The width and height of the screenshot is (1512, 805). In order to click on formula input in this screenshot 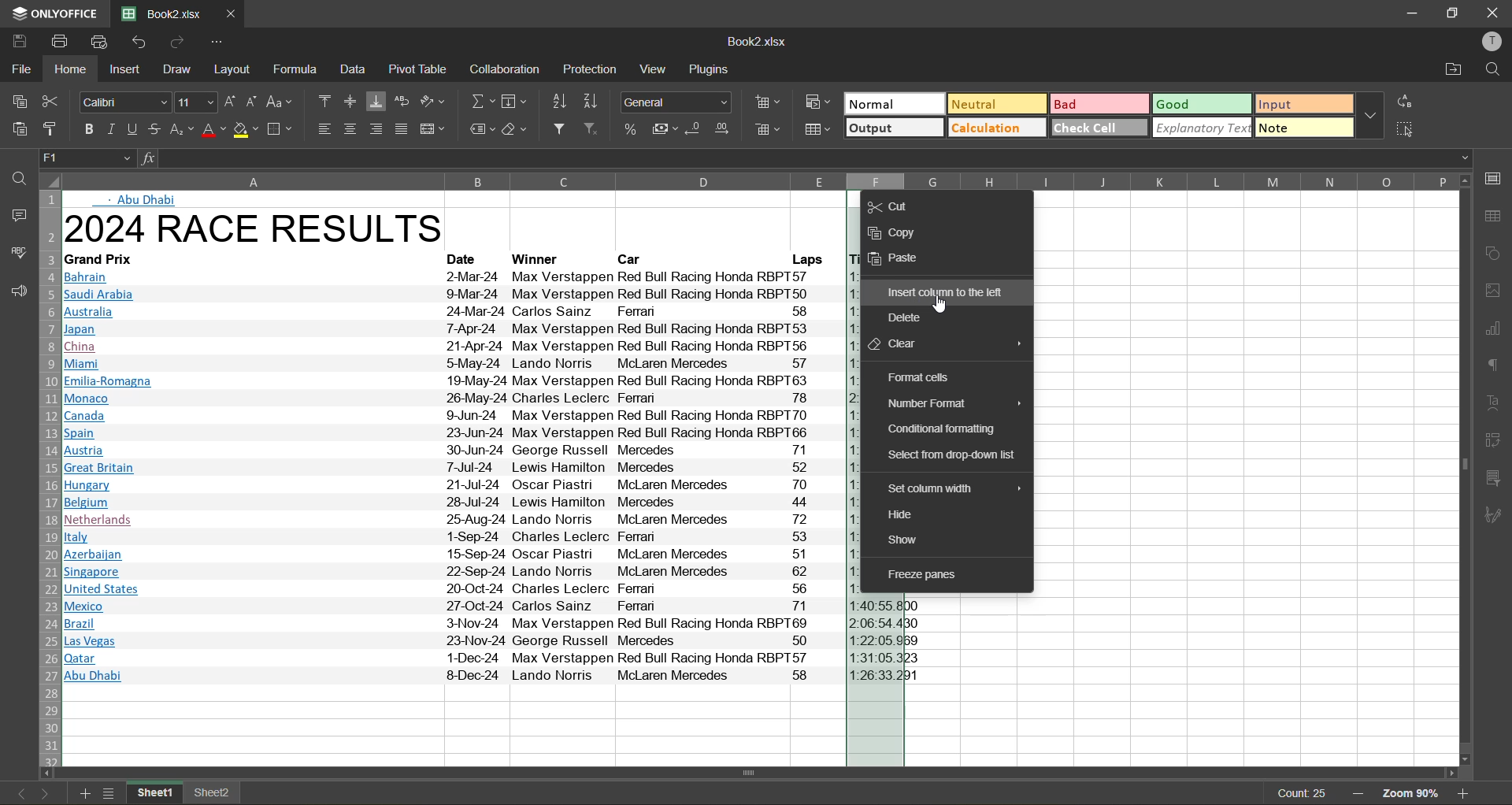, I will do `click(147, 157)`.